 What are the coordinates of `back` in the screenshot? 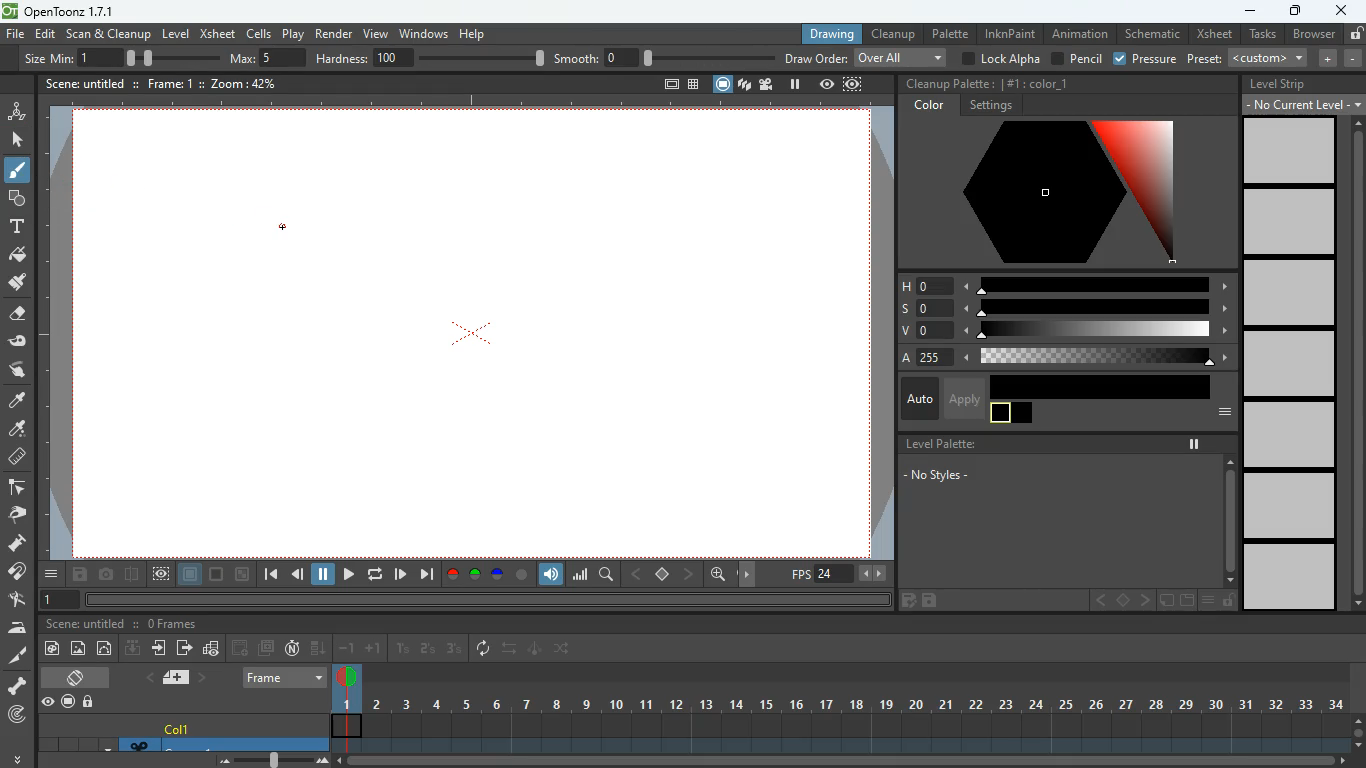 It's located at (298, 577).